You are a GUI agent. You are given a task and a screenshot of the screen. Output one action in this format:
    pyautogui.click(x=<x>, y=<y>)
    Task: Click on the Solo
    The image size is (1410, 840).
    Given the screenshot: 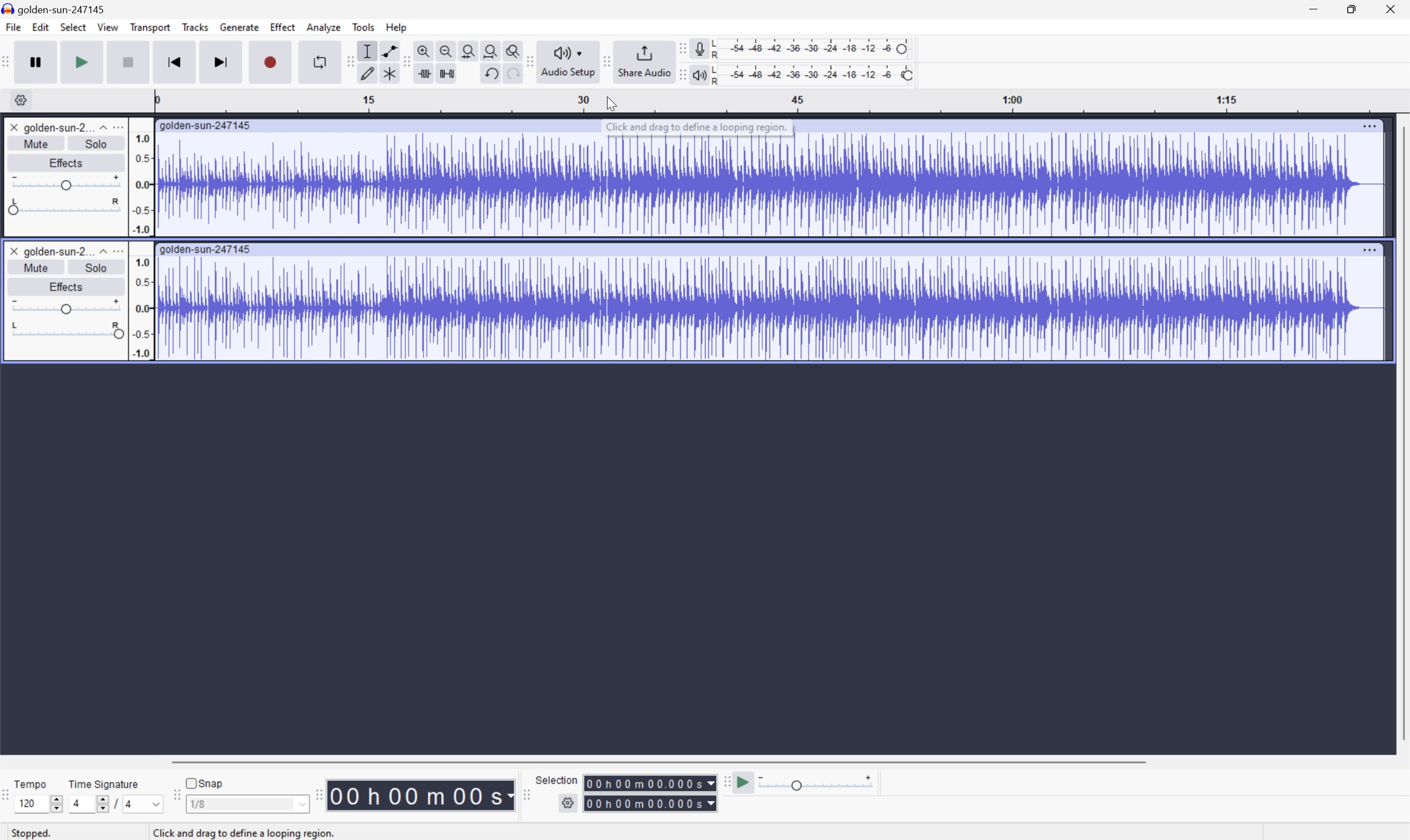 What is the action you would take?
    pyautogui.click(x=97, y=144)
    